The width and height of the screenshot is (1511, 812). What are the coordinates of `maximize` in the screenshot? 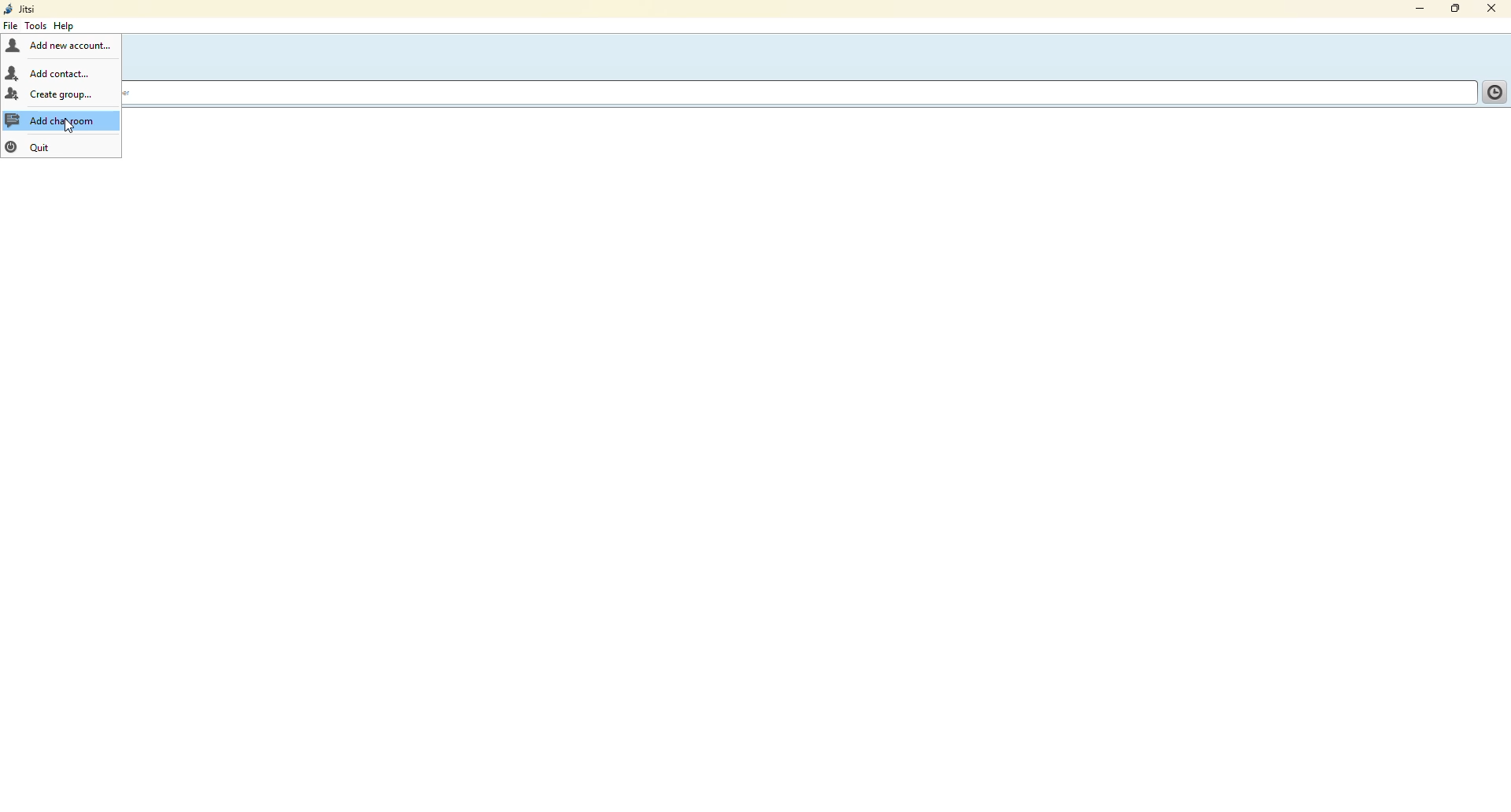 It's located at (1454, 9).